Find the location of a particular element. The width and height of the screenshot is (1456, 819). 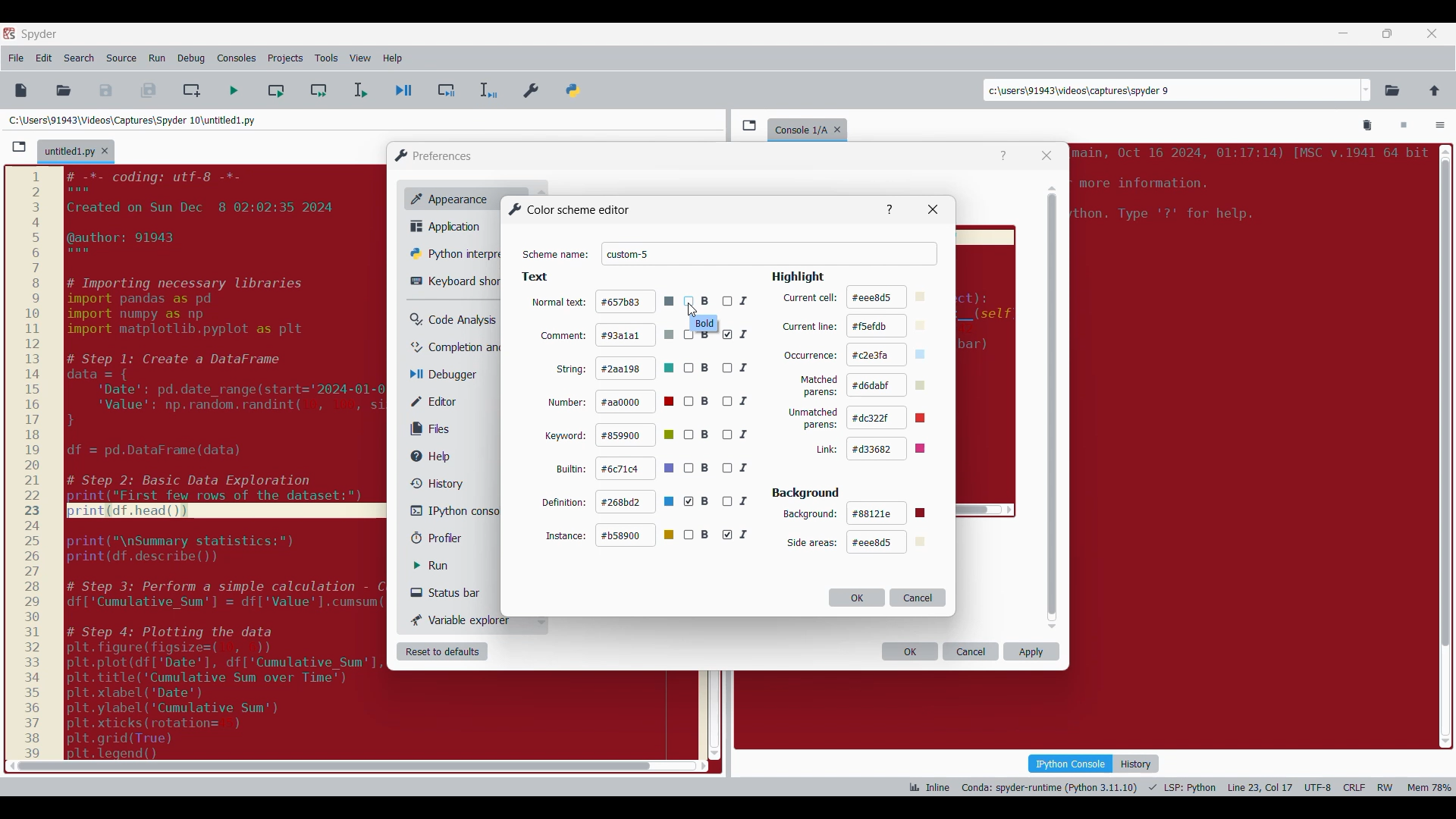

B is located at coordinates (697, 368).